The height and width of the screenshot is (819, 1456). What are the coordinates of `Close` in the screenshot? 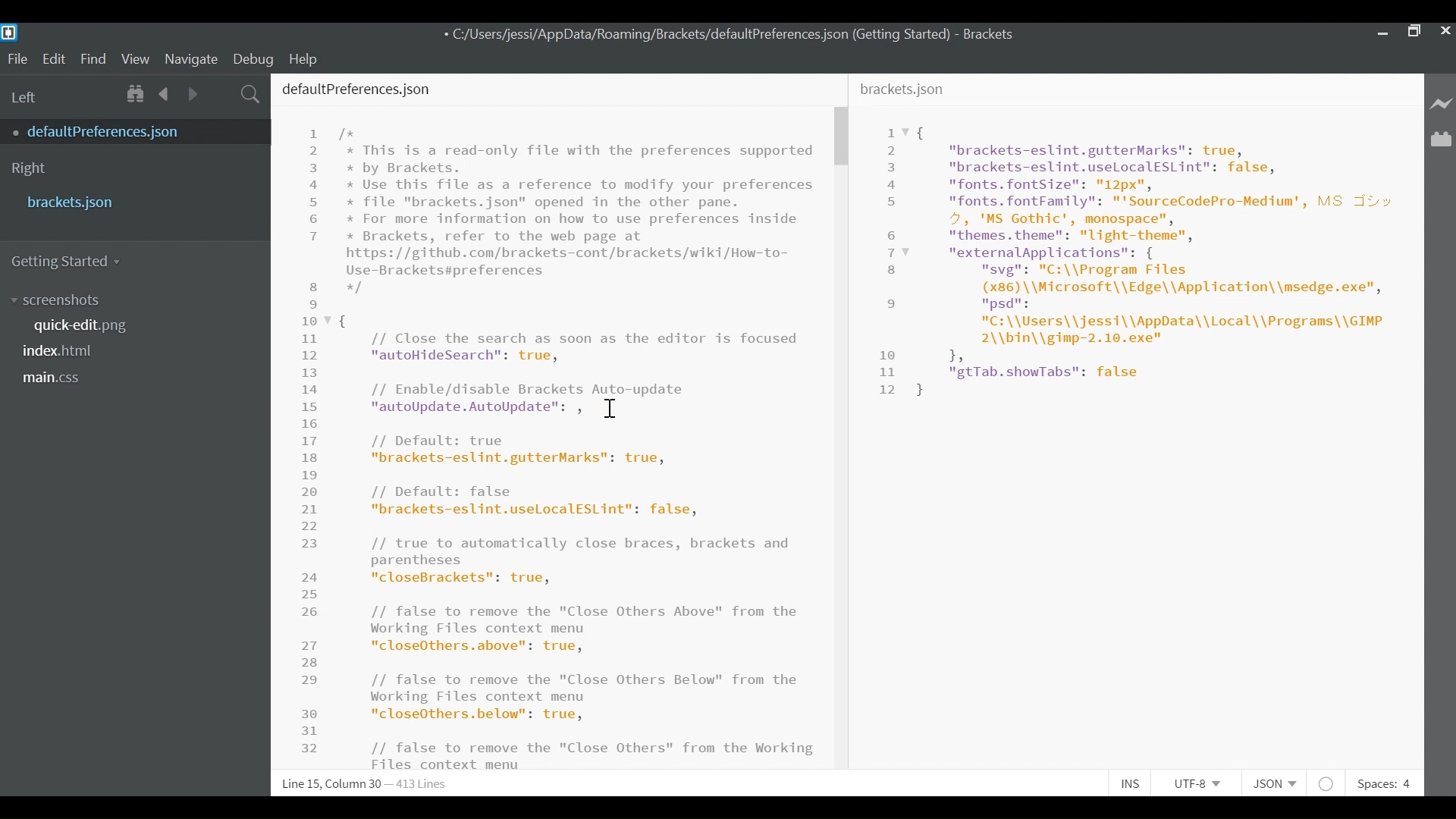 It's located at (1446, 31).